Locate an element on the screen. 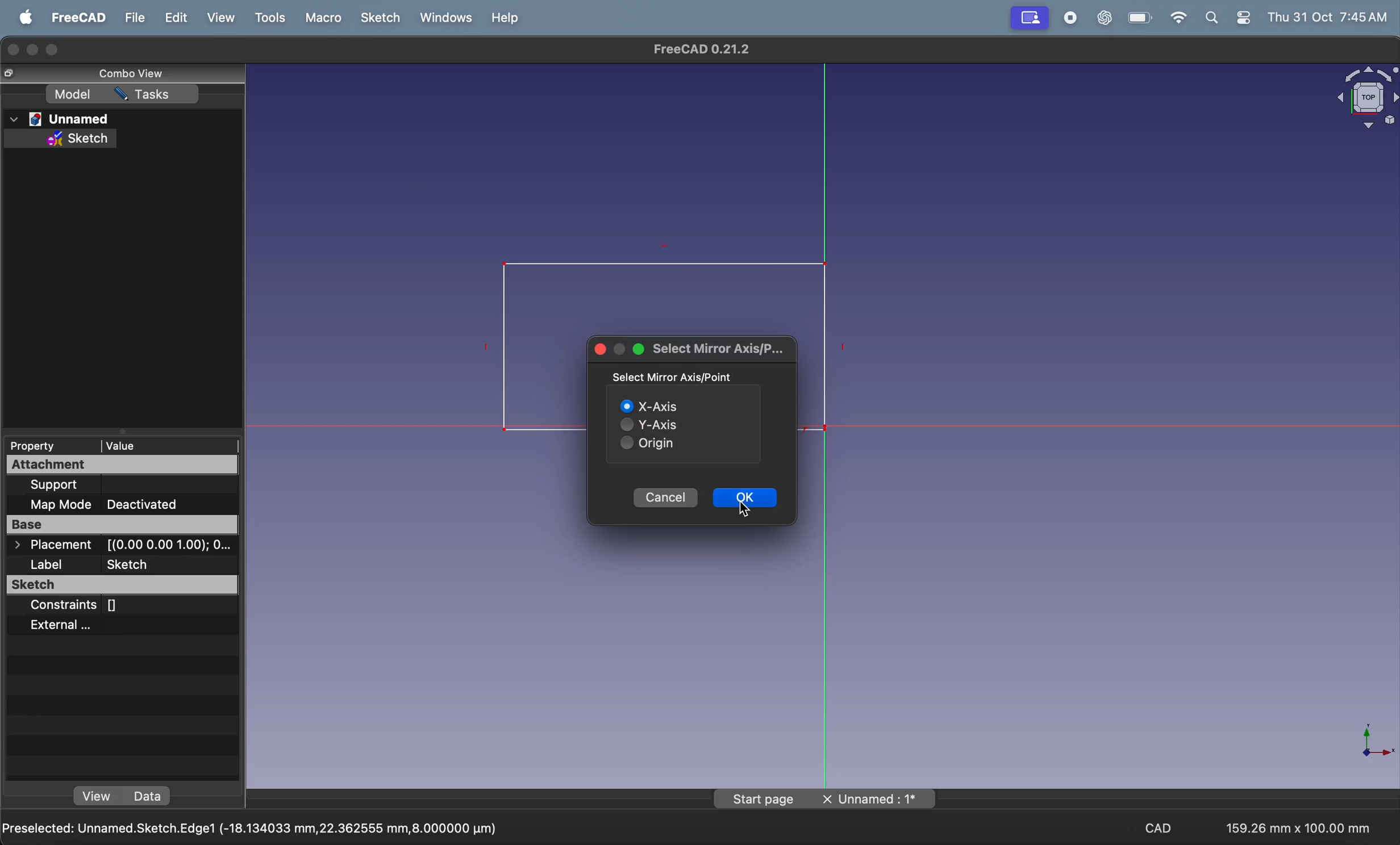 The width and height of the screenshot is (1400, 845). object view is located at coordinates (1360, 99).